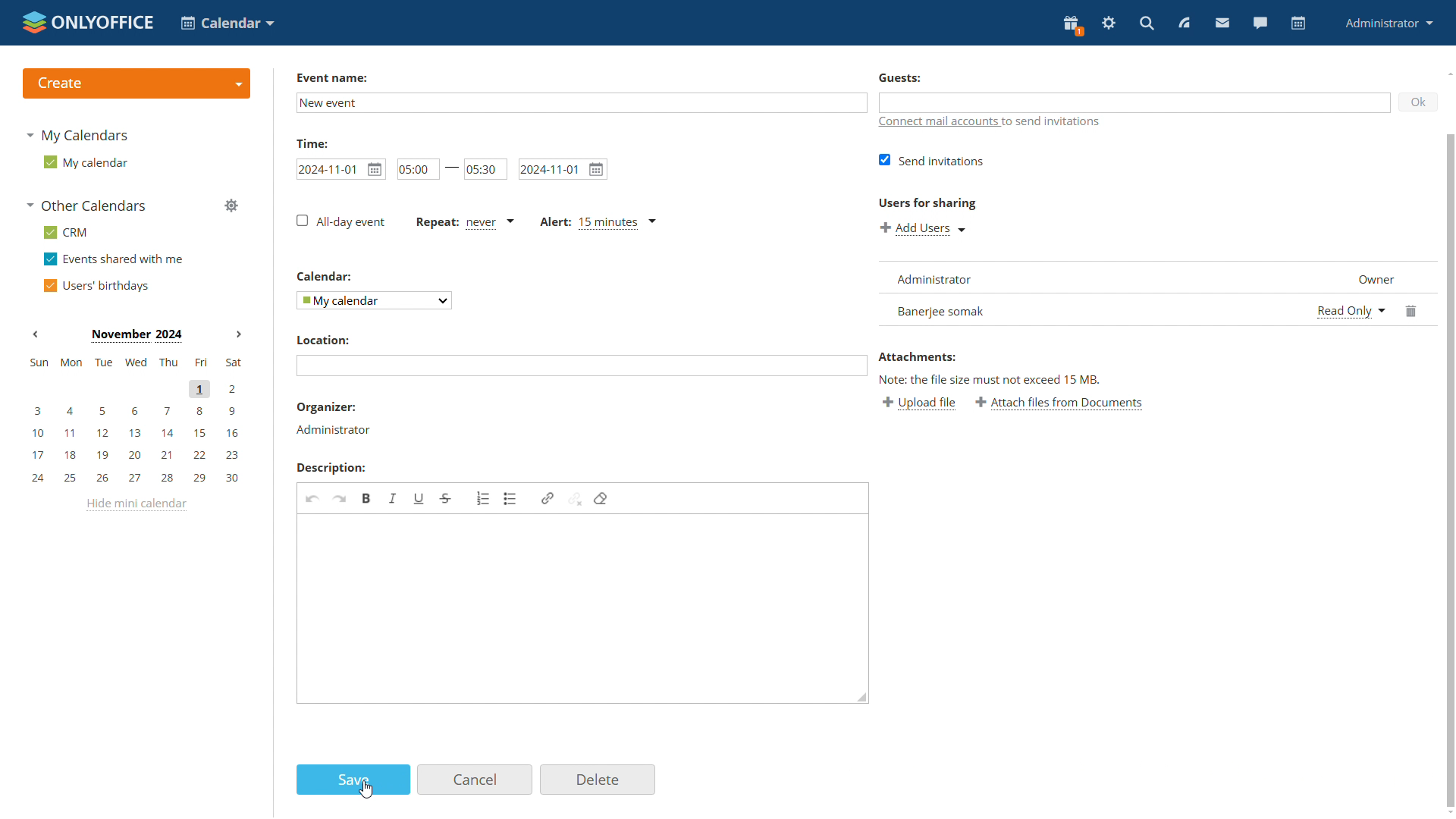 This screenshot has width=1456, height=819. Describe the element at coordinates (927, 202) in the screenshot. I see `` at that location.